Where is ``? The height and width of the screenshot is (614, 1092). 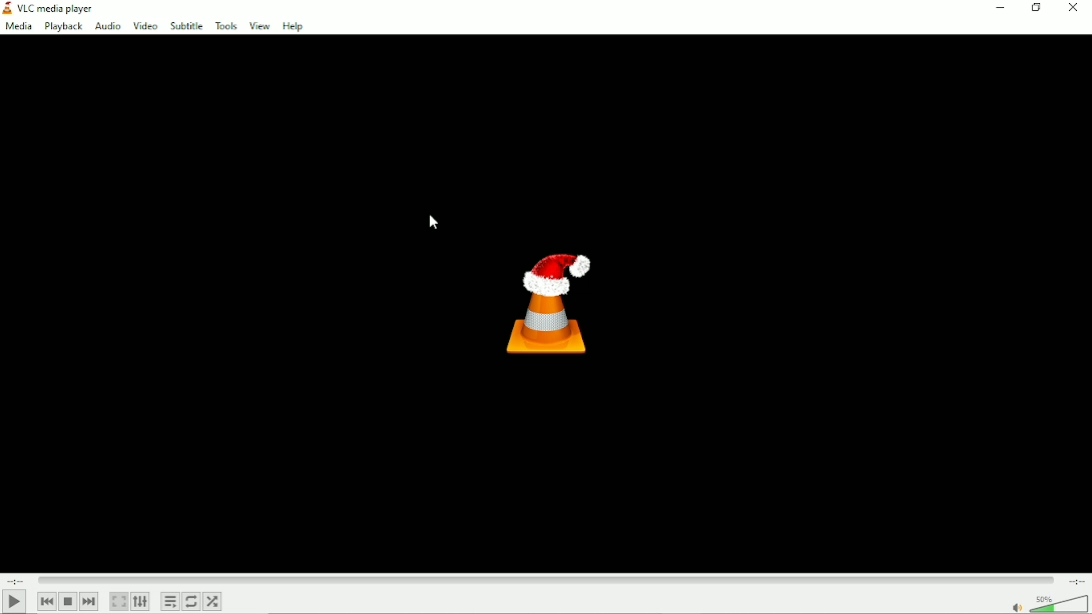  is located at coordinates (1073, 9).